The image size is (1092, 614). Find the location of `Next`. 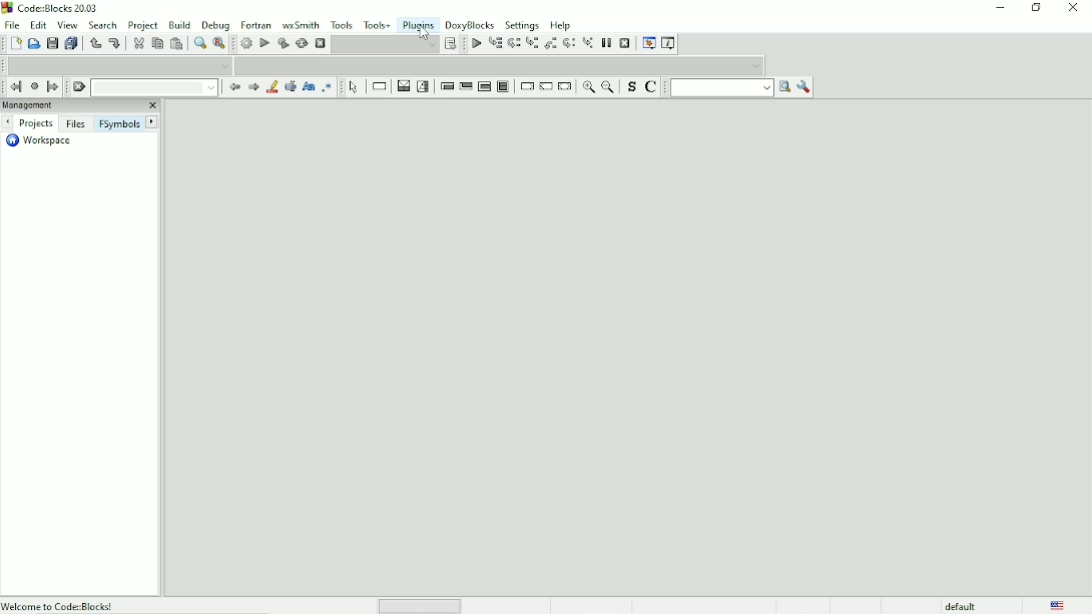

Next is located at coordinates (7, 122).